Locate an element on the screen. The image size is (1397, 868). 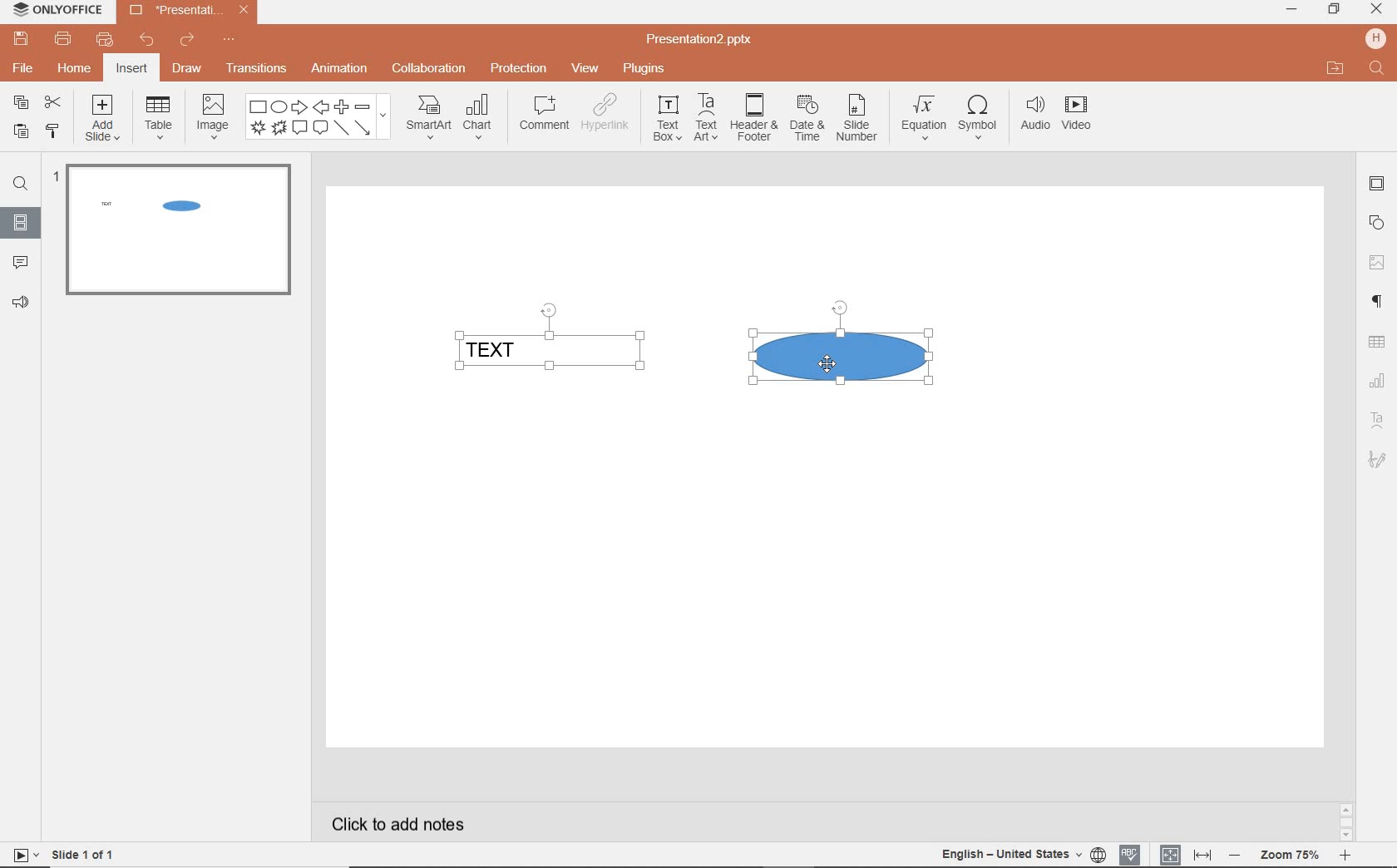
date & time is located at coordinates (805, 122).